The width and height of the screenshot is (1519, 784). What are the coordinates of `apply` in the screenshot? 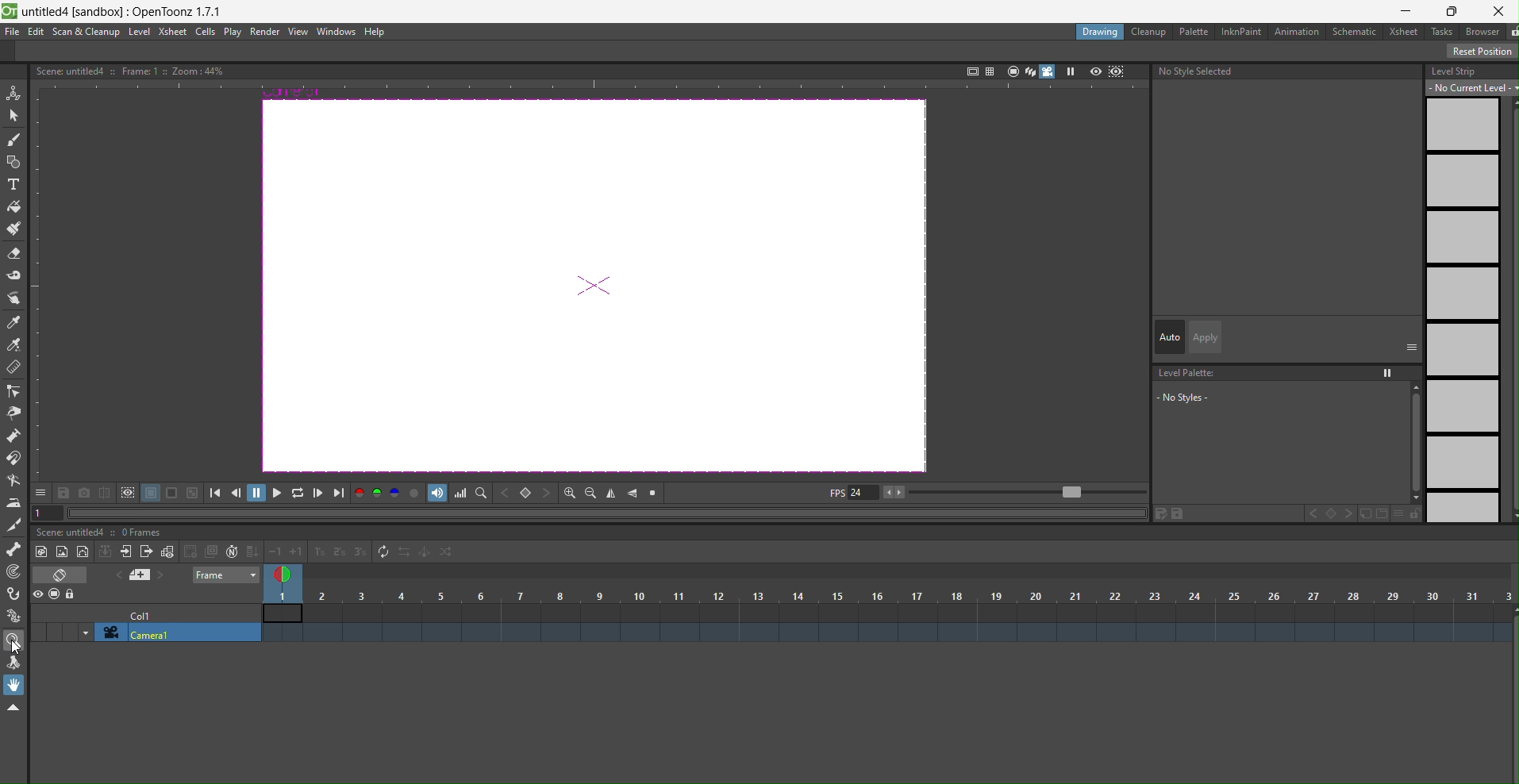 It's located at (1203, 336).